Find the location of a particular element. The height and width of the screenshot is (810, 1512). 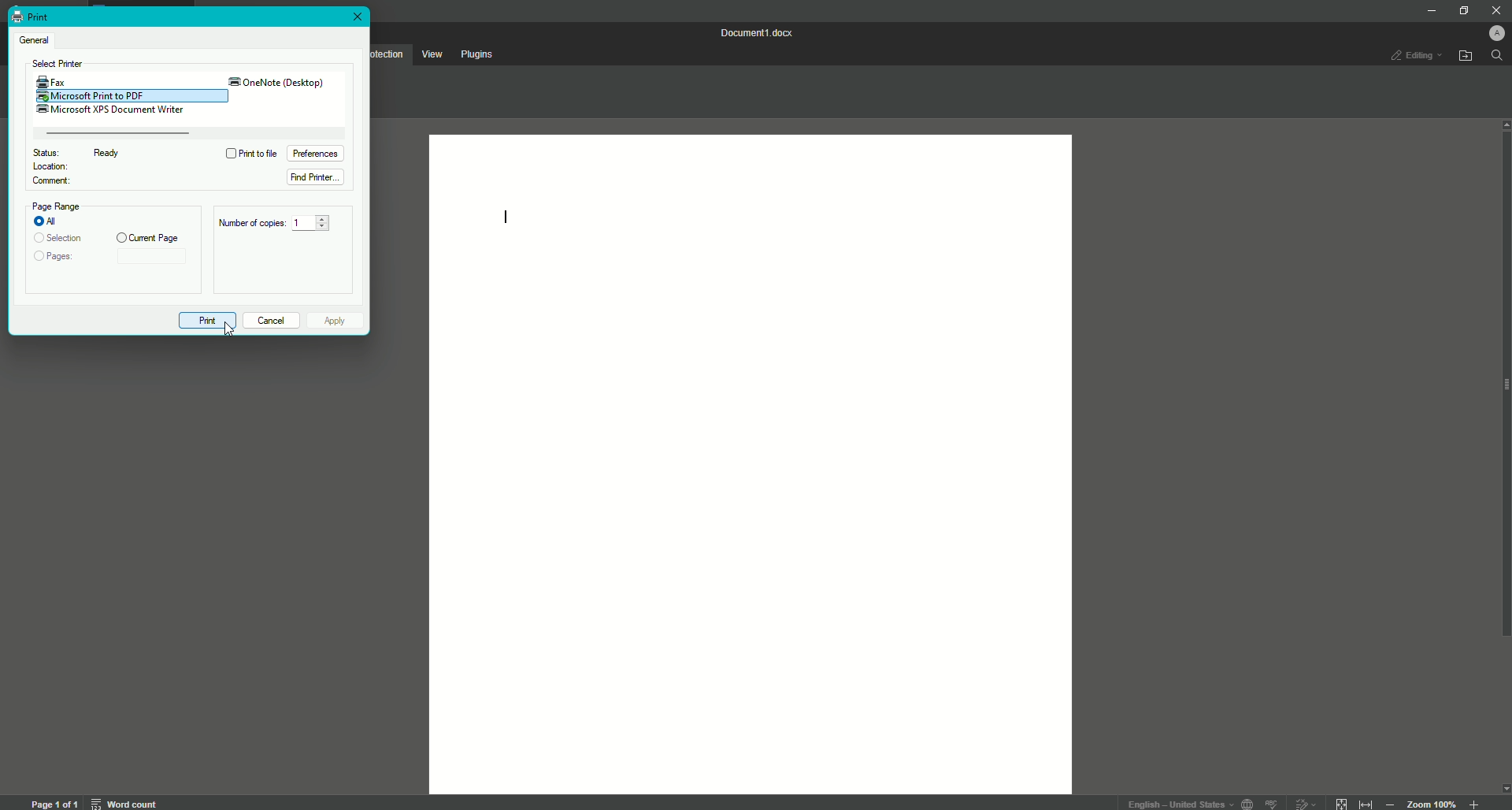

Current Page is located at coordinates (148, 237).